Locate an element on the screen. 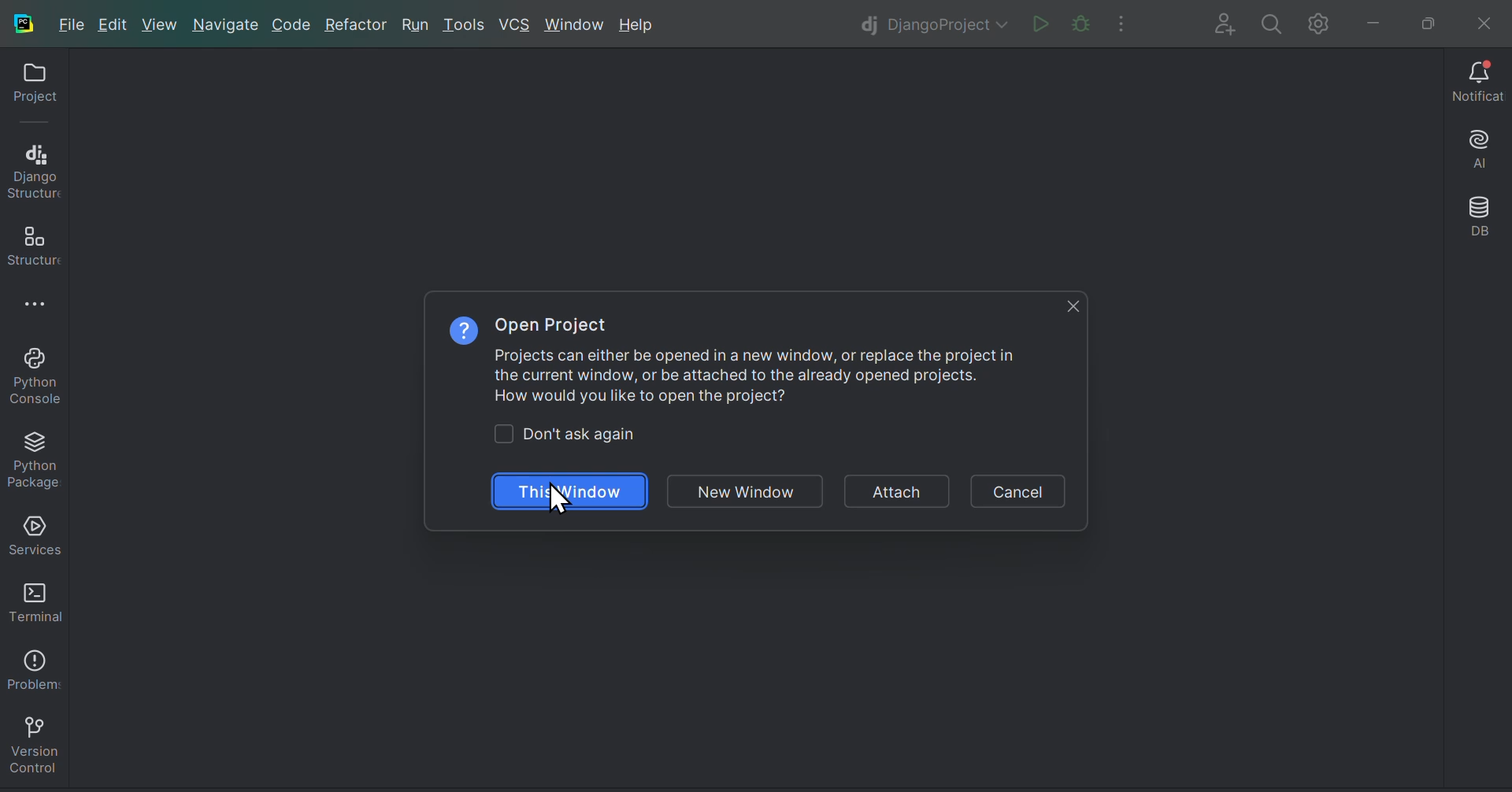  tools is located at coordinates (462, 25).